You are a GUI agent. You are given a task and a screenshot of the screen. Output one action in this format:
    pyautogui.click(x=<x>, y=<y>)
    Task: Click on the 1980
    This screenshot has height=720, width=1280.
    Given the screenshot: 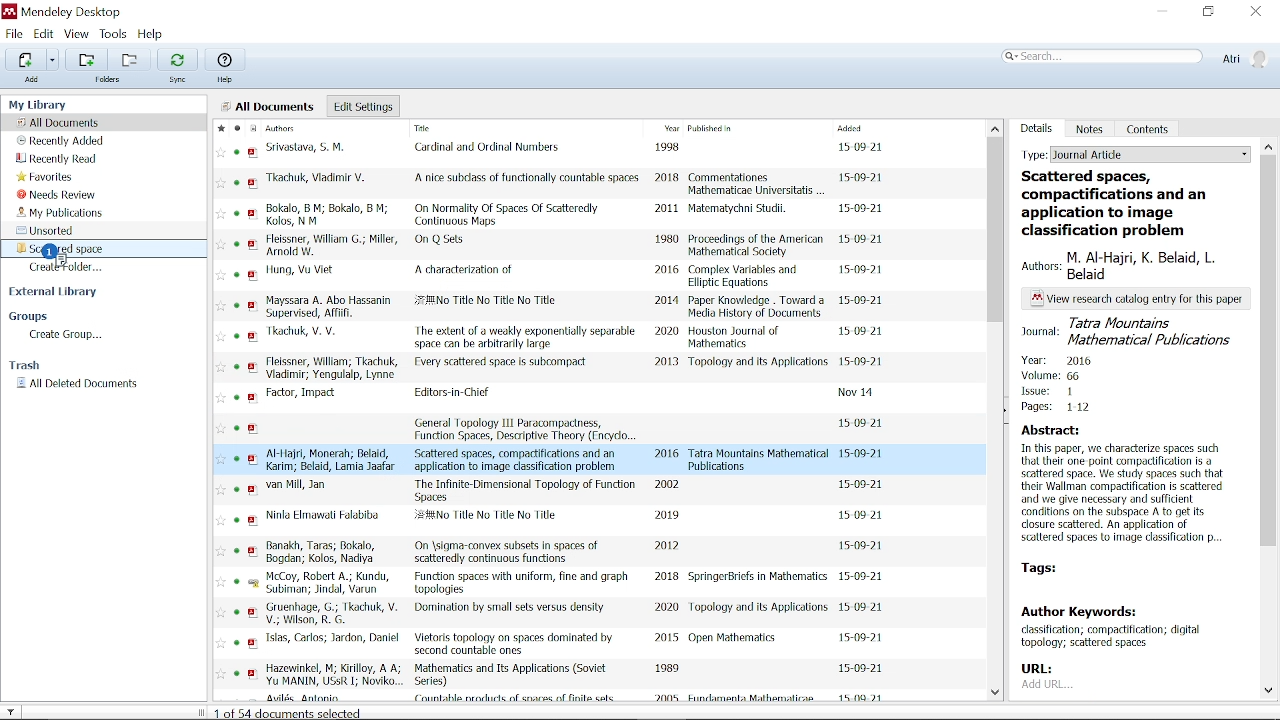 What is the action you would take?
    pyautogui.click(x=668, y=240)
    